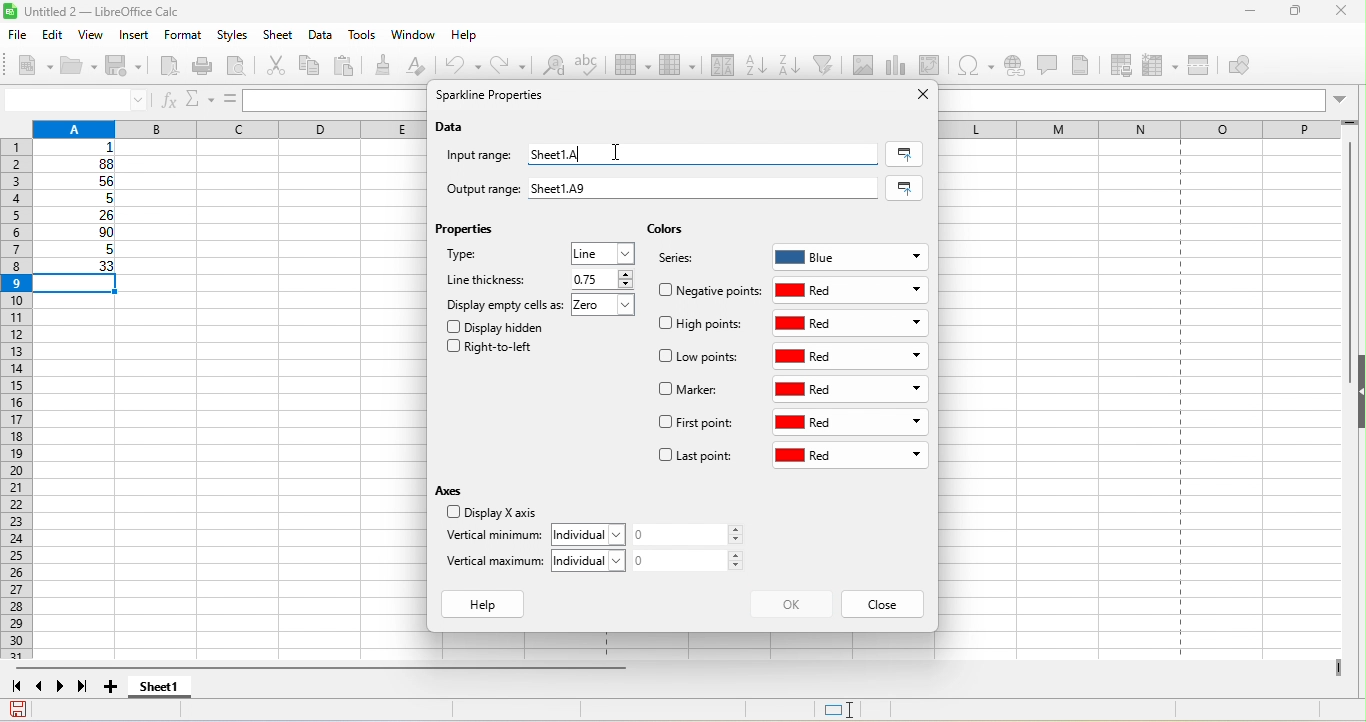 The width and height of the screenshot is (1366, 722). What do you see at coordinates (489, 514) in the screenshot?
I see `display x axis` at bounding box center [489, 514].